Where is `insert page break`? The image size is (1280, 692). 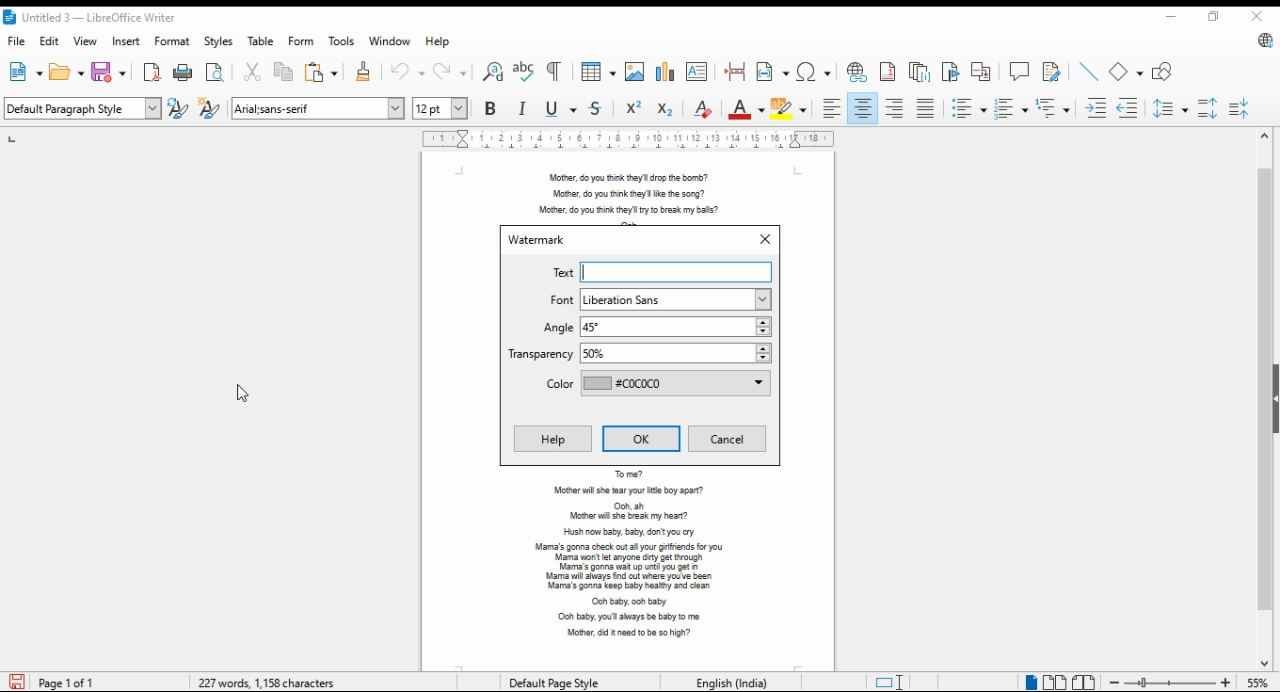 insert page break is located at coordinates (737, 72).